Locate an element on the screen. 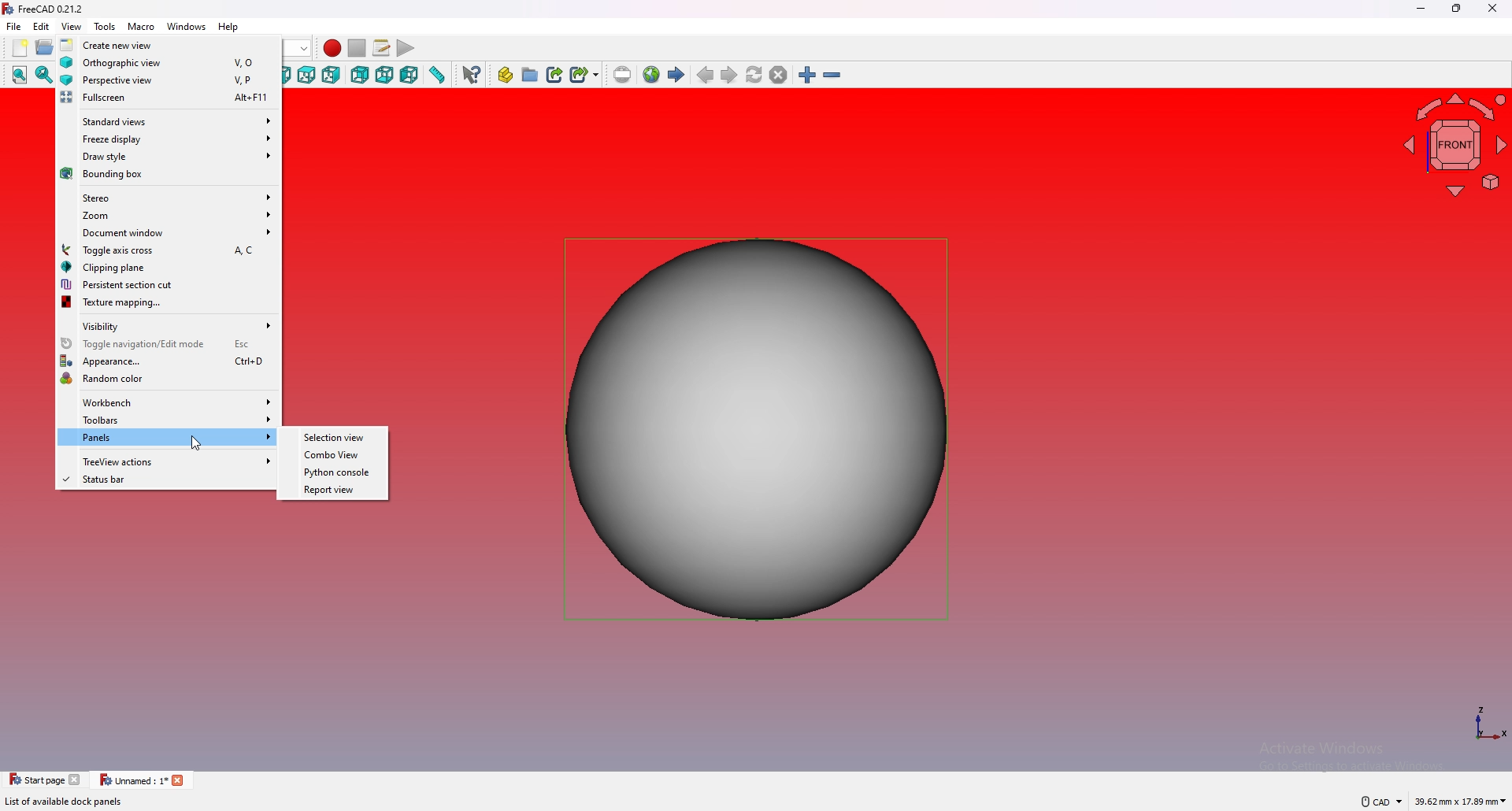  stop macro is located at coordinates (358, 48).